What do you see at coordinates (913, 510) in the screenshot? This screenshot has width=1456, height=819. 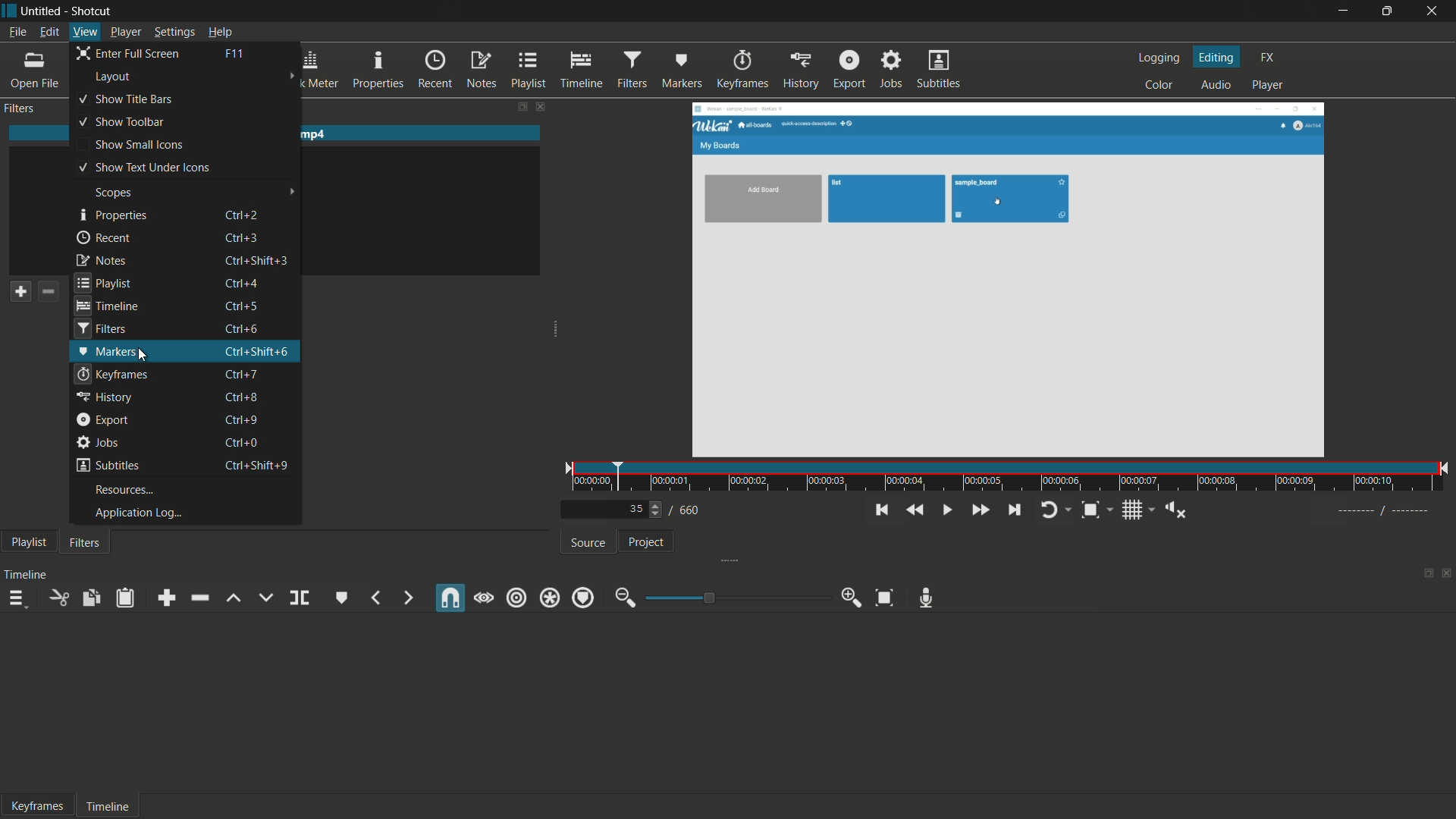 I see `quickly play backward` at bounding box center [913, 510].